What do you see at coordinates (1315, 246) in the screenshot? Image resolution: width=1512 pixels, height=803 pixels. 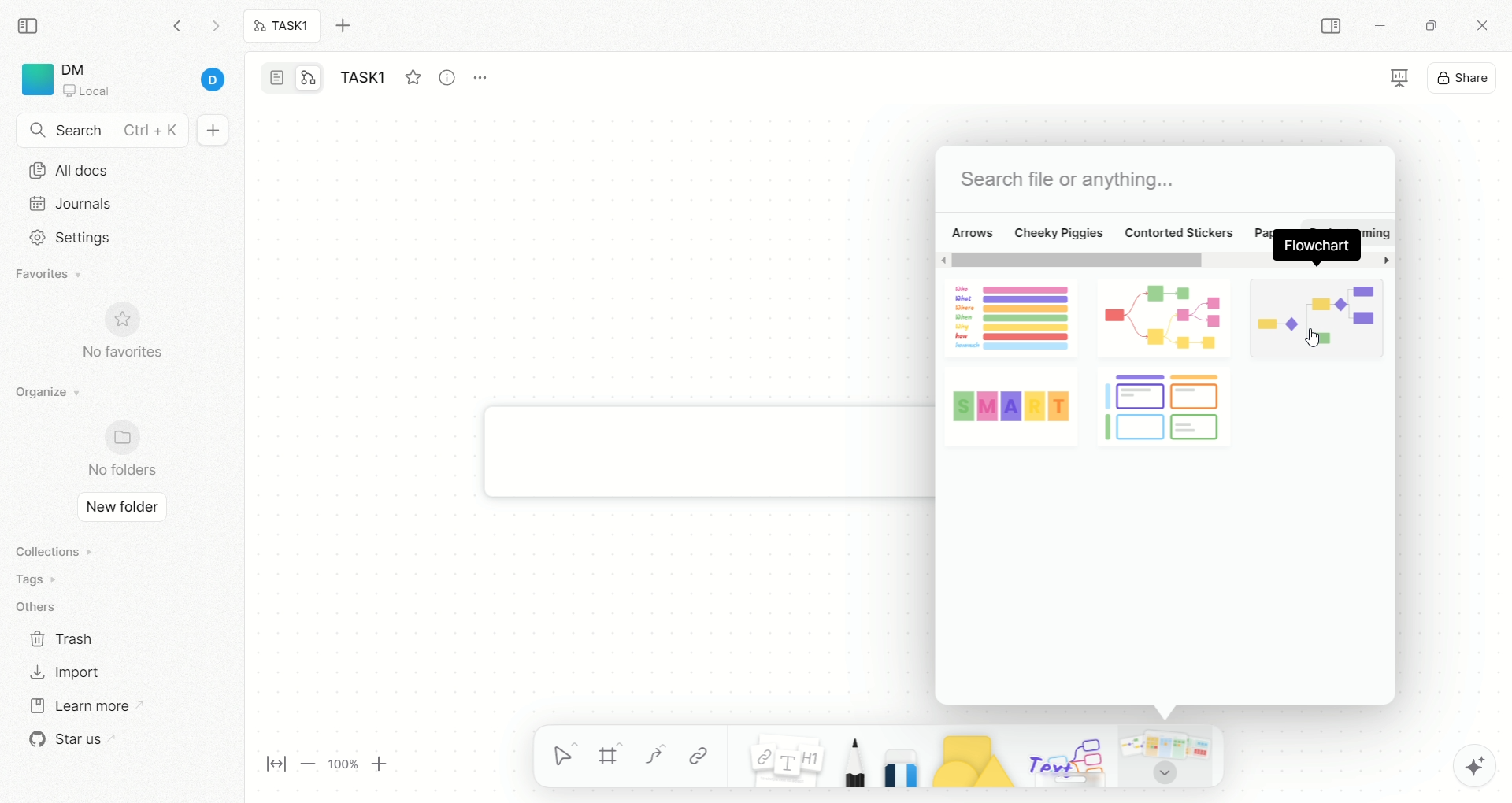 I see `flowchart` at bounding box center [1315, 246].